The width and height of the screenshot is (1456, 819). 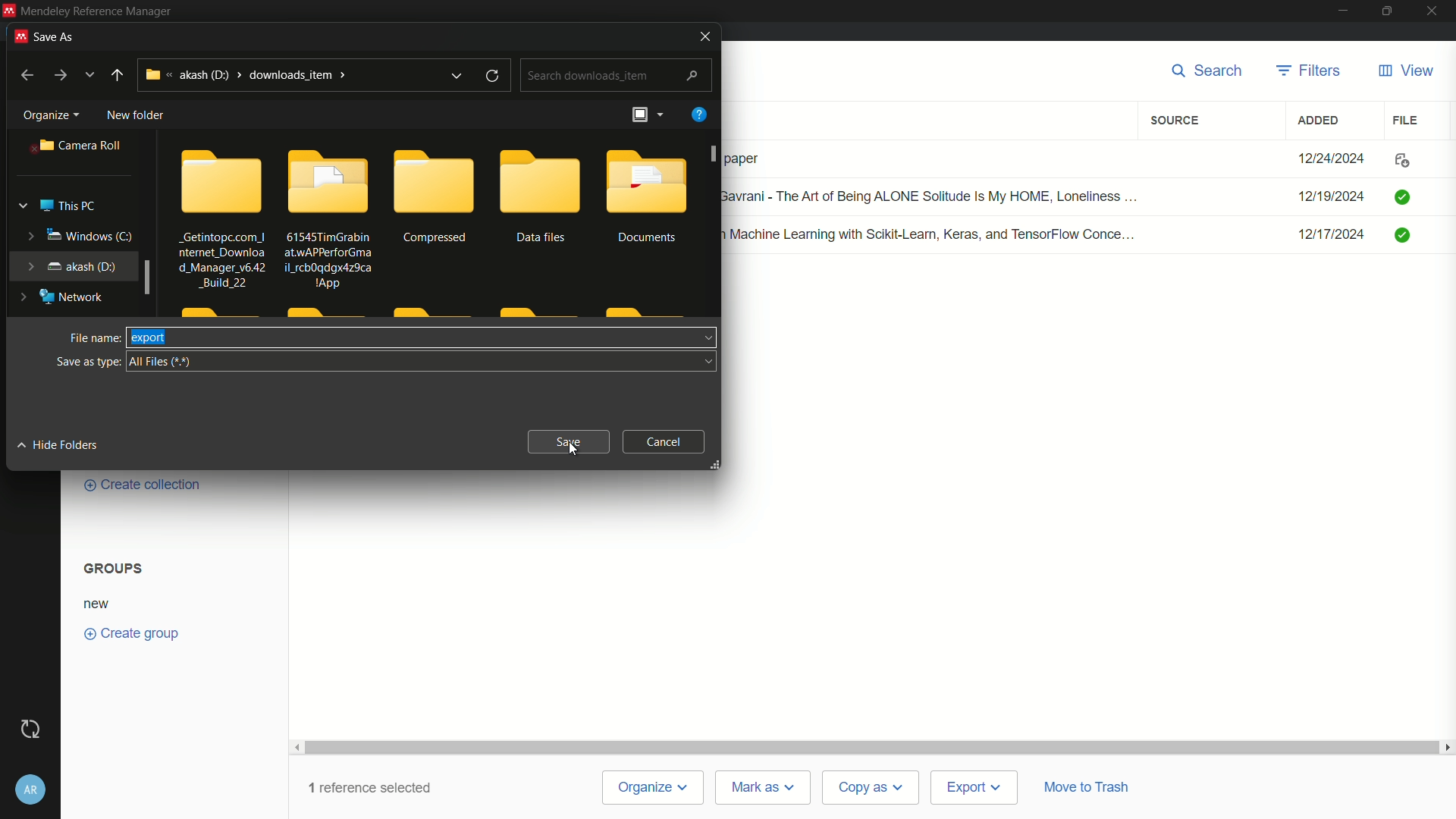 I want to click on create collection, so click(x=140, y=485).